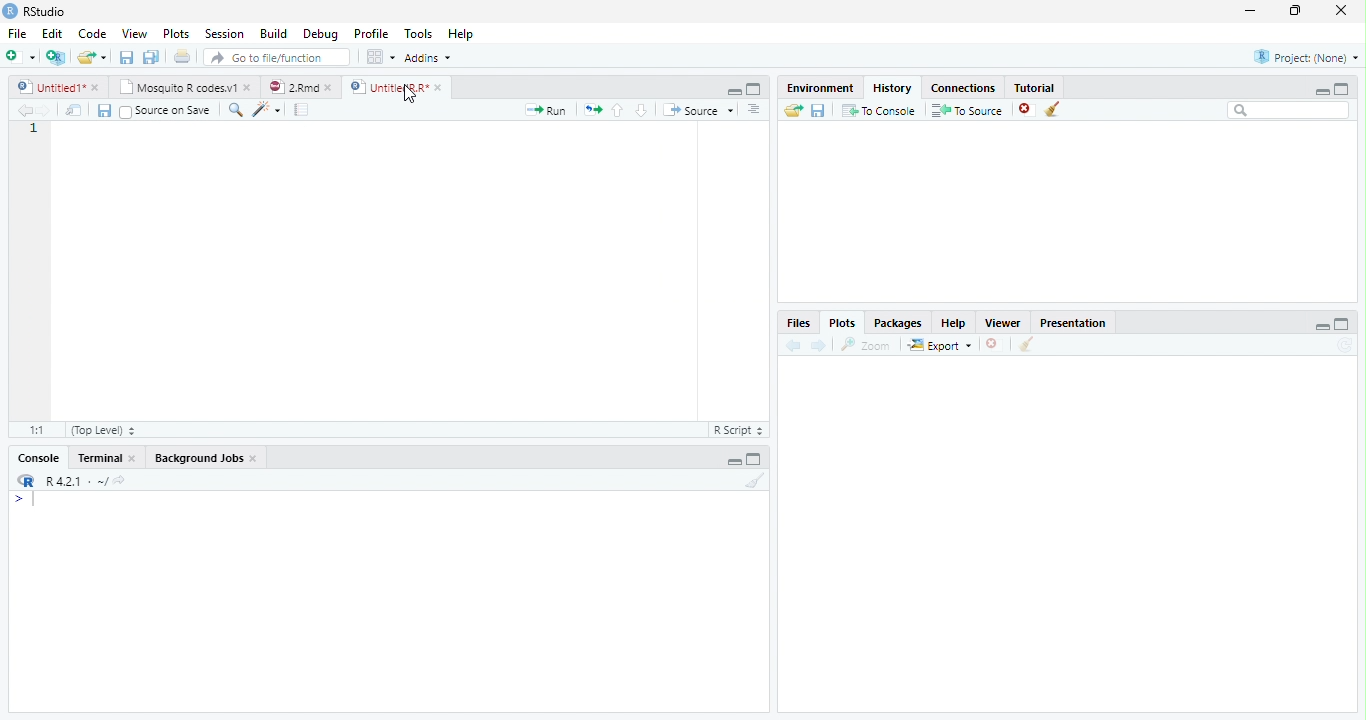  Describe the element at coordinates (175, 87) in the screenshot. I see `Mosquito R codes.v1` at that location.